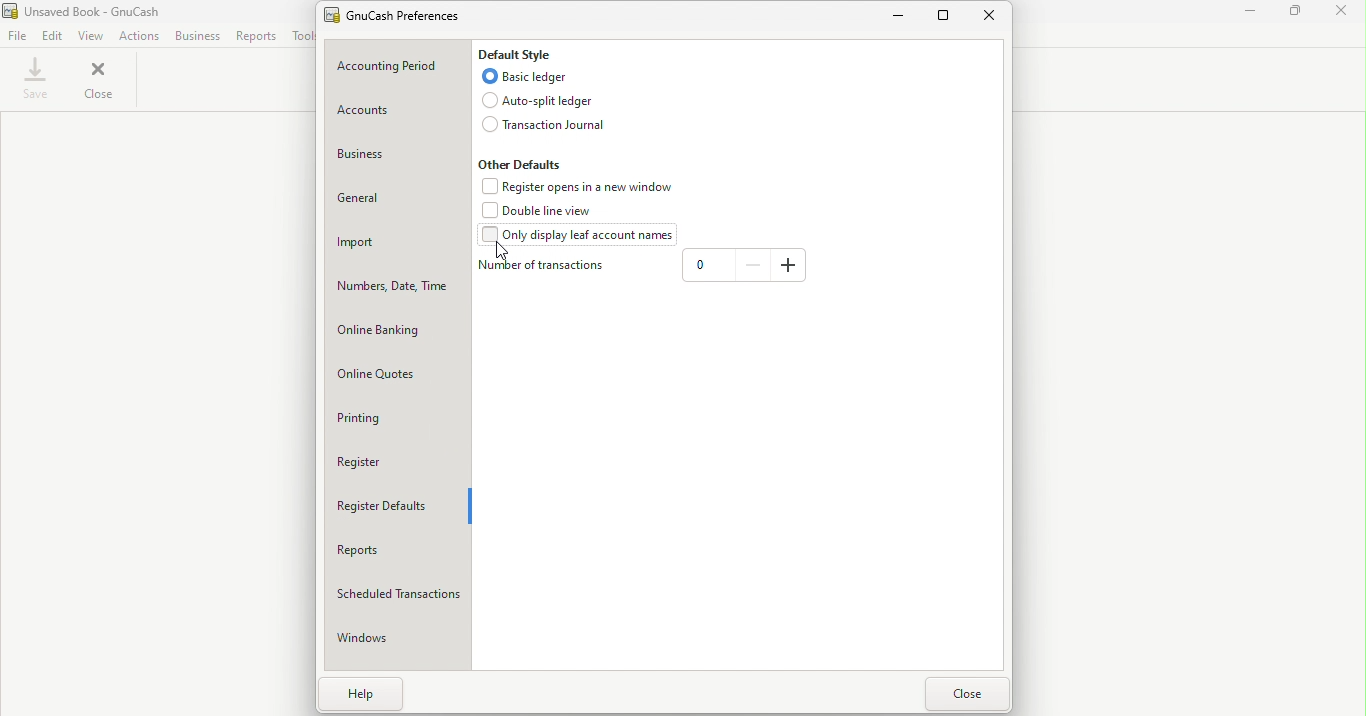 This screenshot has width=1366, height=716. What do you see at coordinates (393, 288) in the screenshot?
I see `Numbers, date, time` at bounding box center [393, 288].